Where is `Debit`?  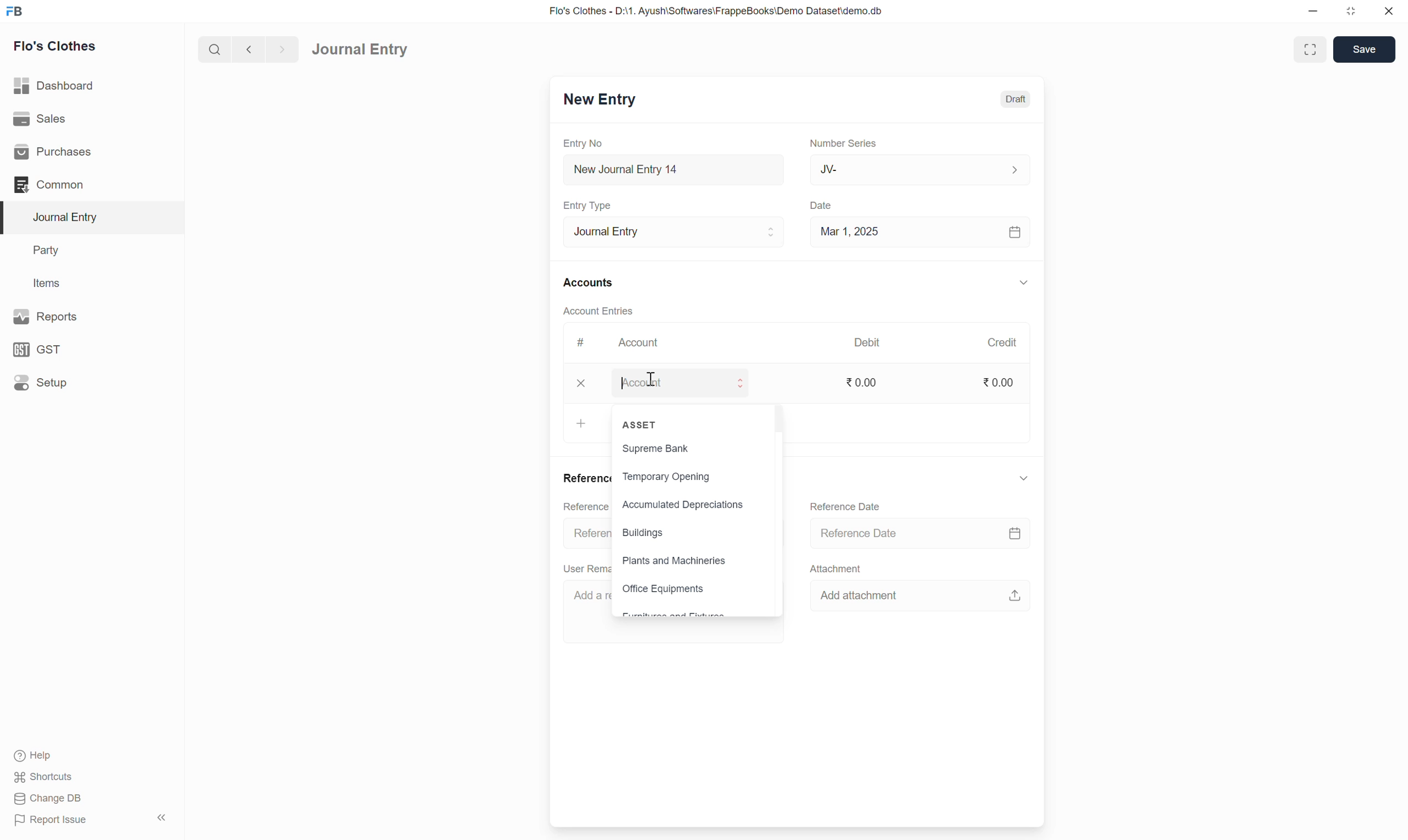
Debit is located at coordinates (867, 341).